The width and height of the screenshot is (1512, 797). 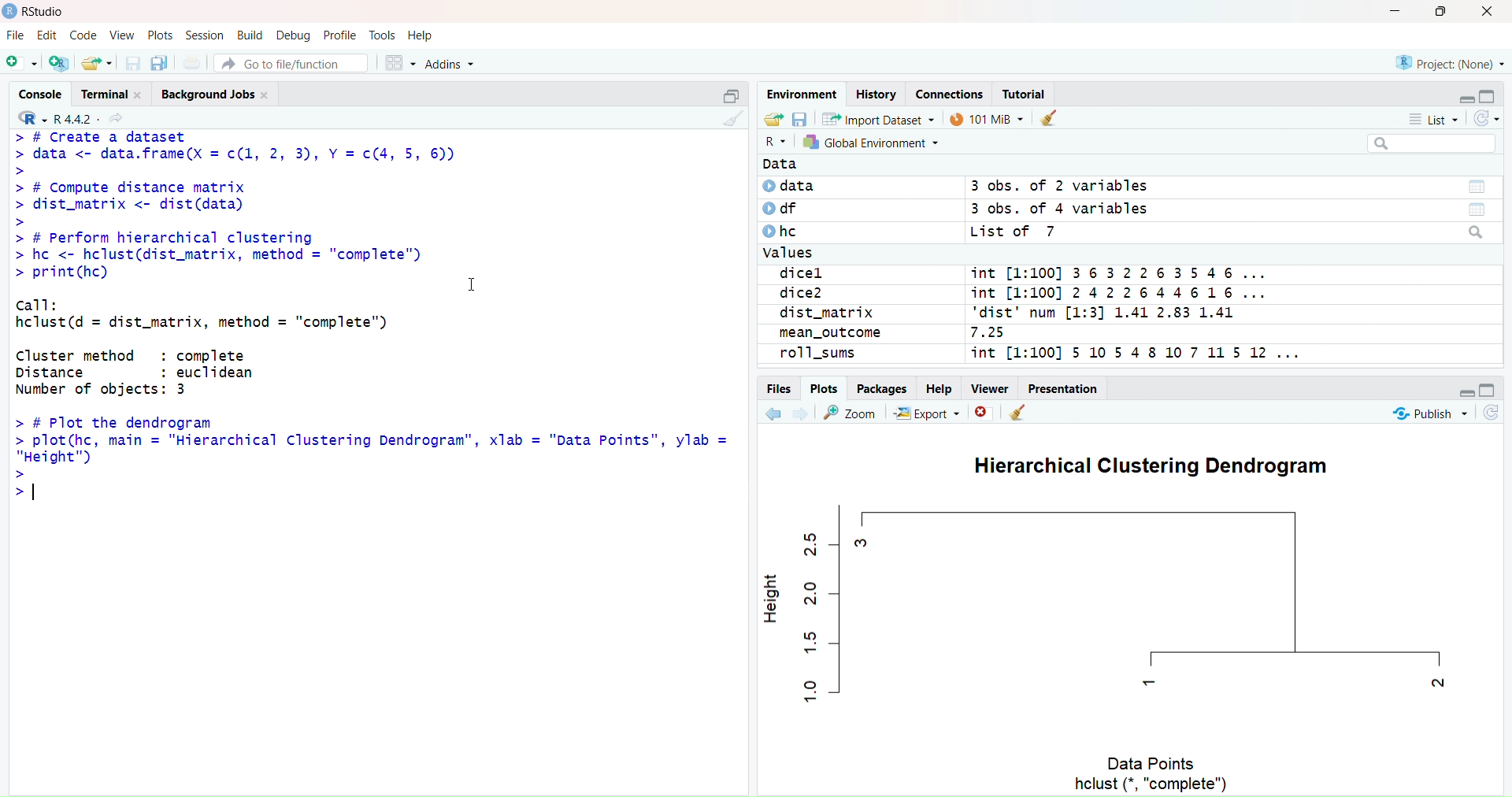 What do you see at coordinates (363, 316) in the screenshot?
I see `> # L(reatc a dataset

> data <- data.frame(X = c(1, 2, 3), Y =c(4, 5, 6))

>

> # Compute distance matrix

> dist_matrix <- dist(data)

>

> # Perform hierarchical clustering

> hc <- hclust(dist_matrix, method = "complete")

> print(hc) I

call:

hclust(d = dist_matrix, method = "complete")

Cluster method : complete

Distance : euclidean

Number of objects: 3

> # Plot the dendrogram
plot(hc, main = "Hierarchical Clustering Dendrogram”, xlab = "Data Points", ylab = "Height")
|` at bounding box center [363, 316].